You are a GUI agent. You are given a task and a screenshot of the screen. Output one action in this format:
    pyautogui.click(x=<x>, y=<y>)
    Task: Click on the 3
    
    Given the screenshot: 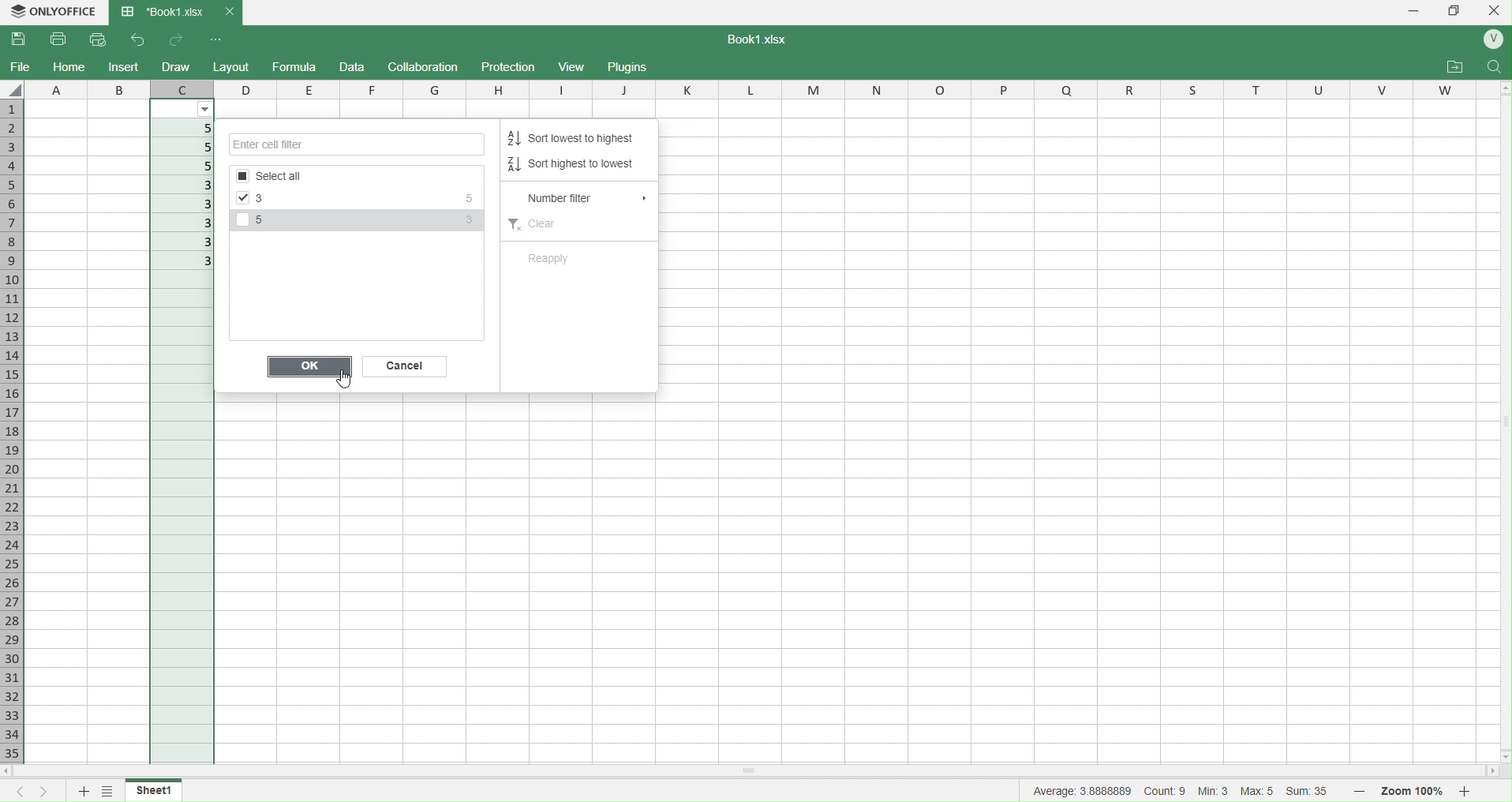 What is the action you would take?
    pyautogui.click(x=185, y=224)
    